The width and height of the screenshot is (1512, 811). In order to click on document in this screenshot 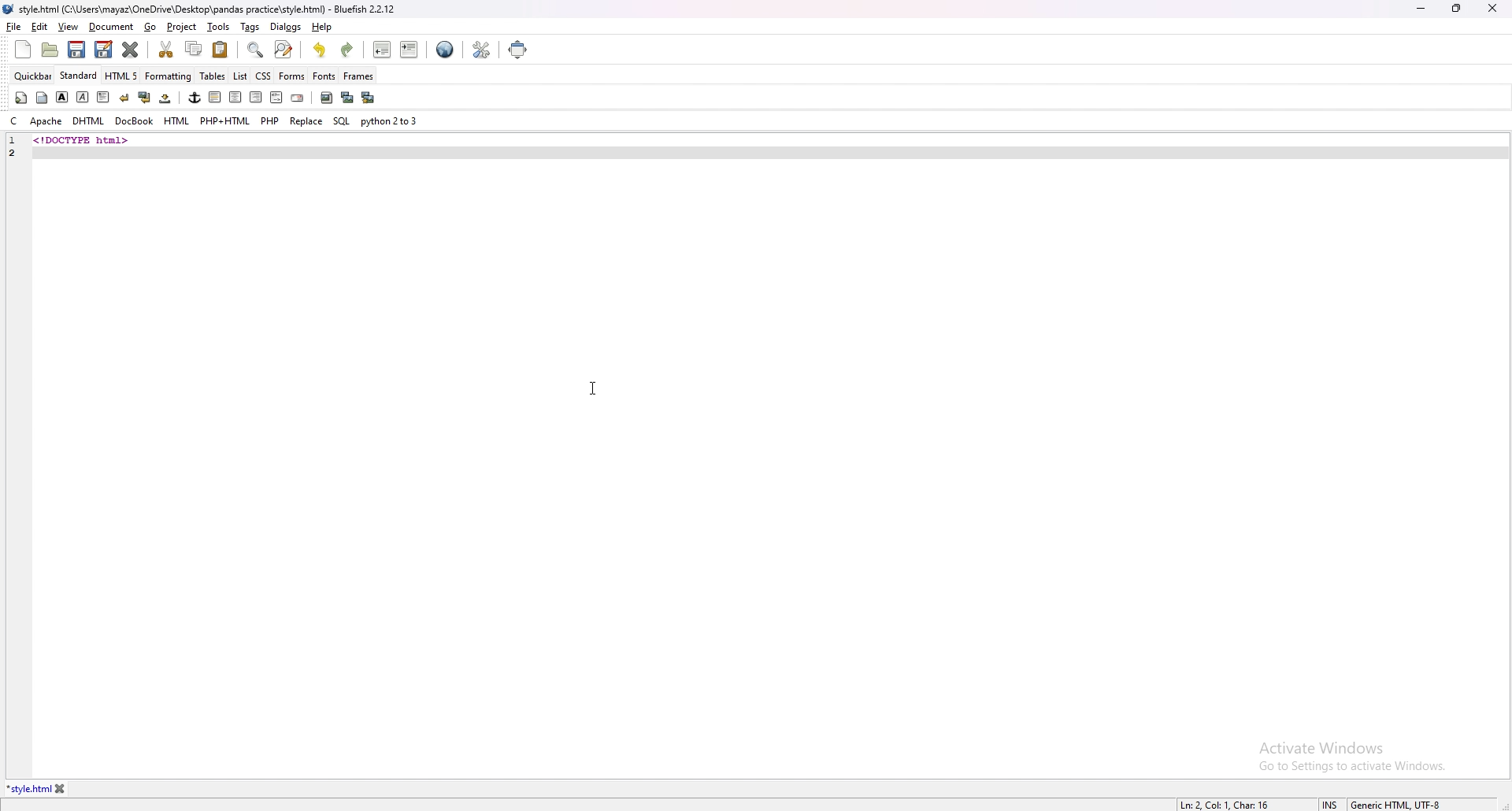, I will do `click(112, 28)`.